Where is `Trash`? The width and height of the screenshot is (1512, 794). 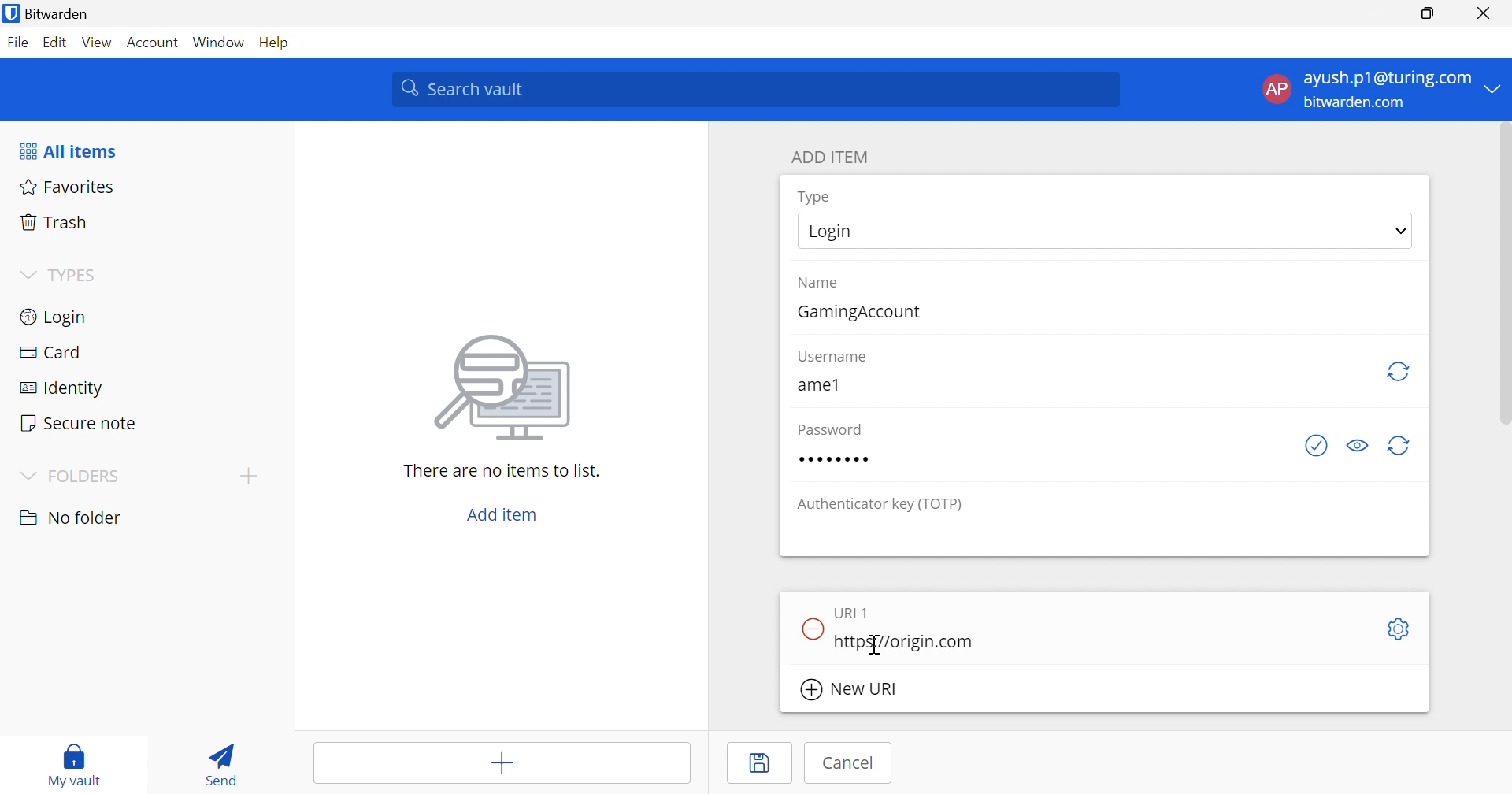 Trash is located at coordinates (59, 224).